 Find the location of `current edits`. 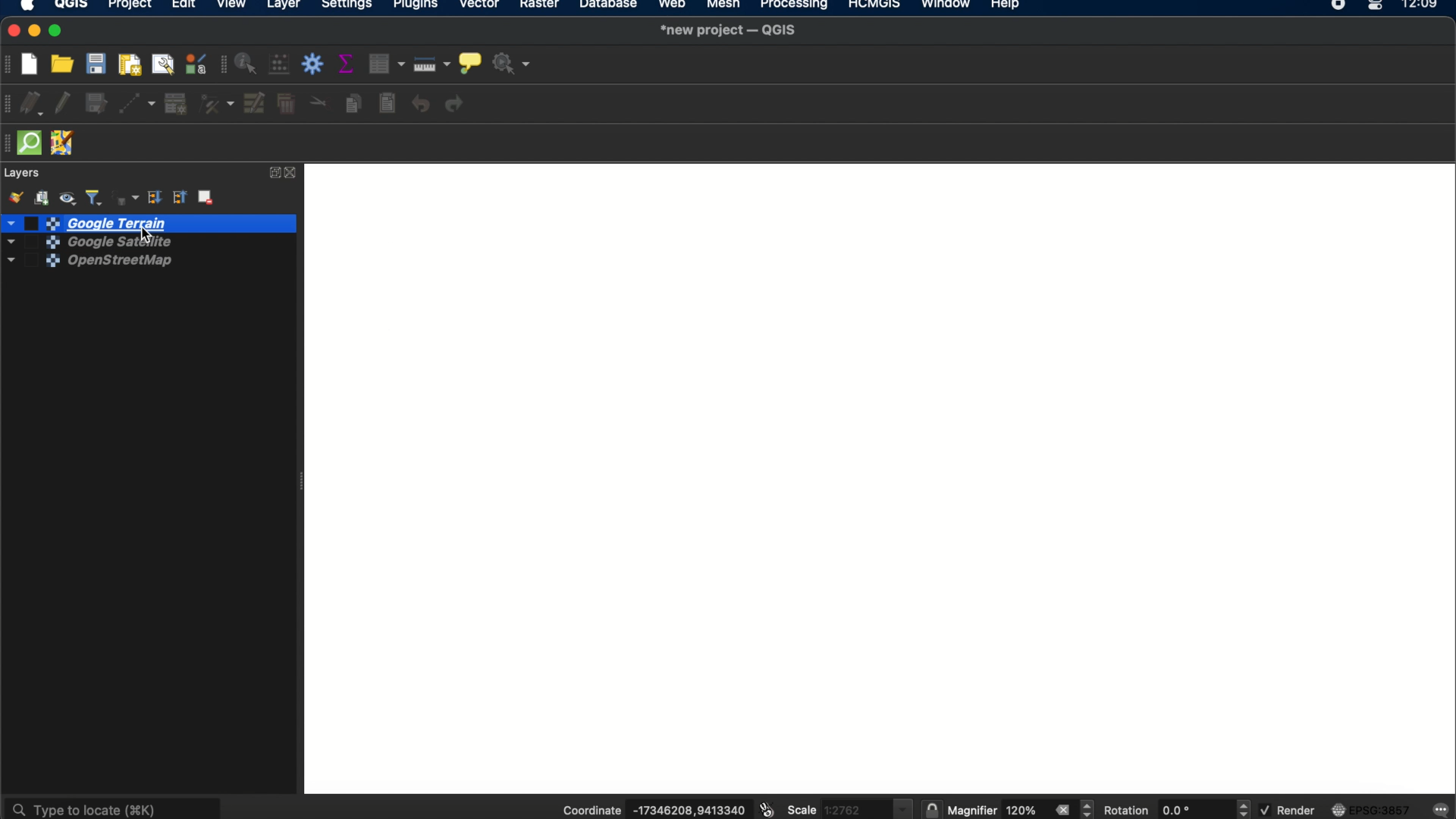

current edits is located at coordinates (36, 105).